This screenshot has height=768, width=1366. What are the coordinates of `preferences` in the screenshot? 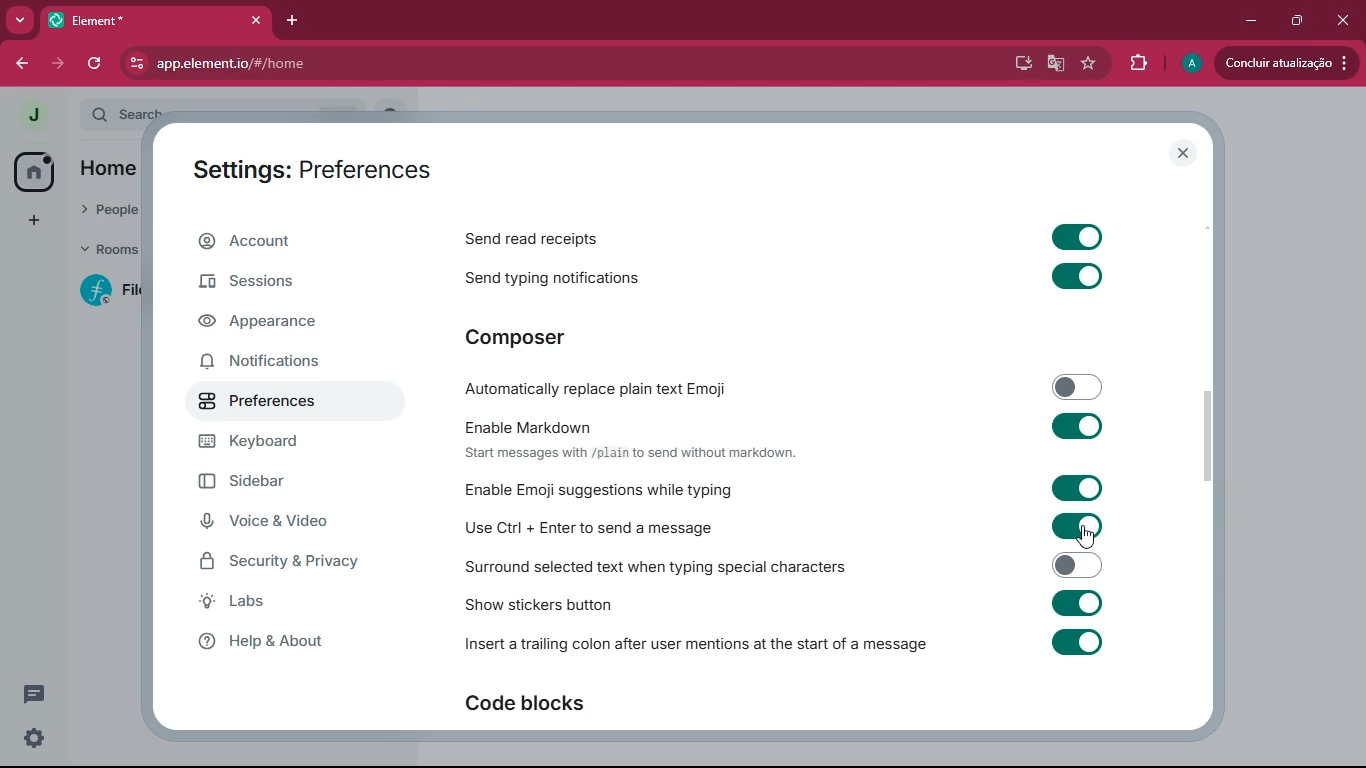 It's located at (274, 406).